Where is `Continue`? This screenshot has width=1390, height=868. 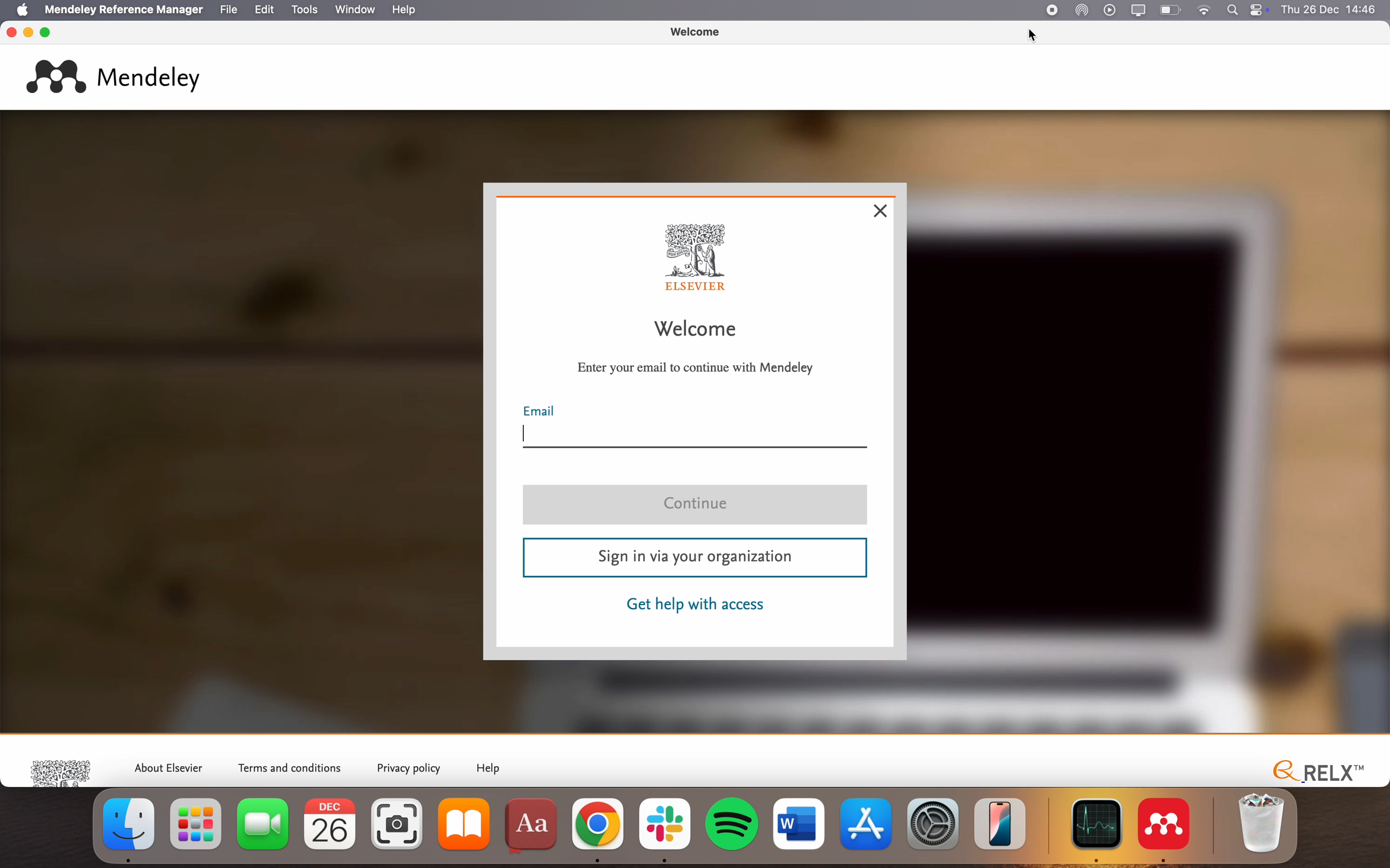
Continue is located at coordinates (697, 506).